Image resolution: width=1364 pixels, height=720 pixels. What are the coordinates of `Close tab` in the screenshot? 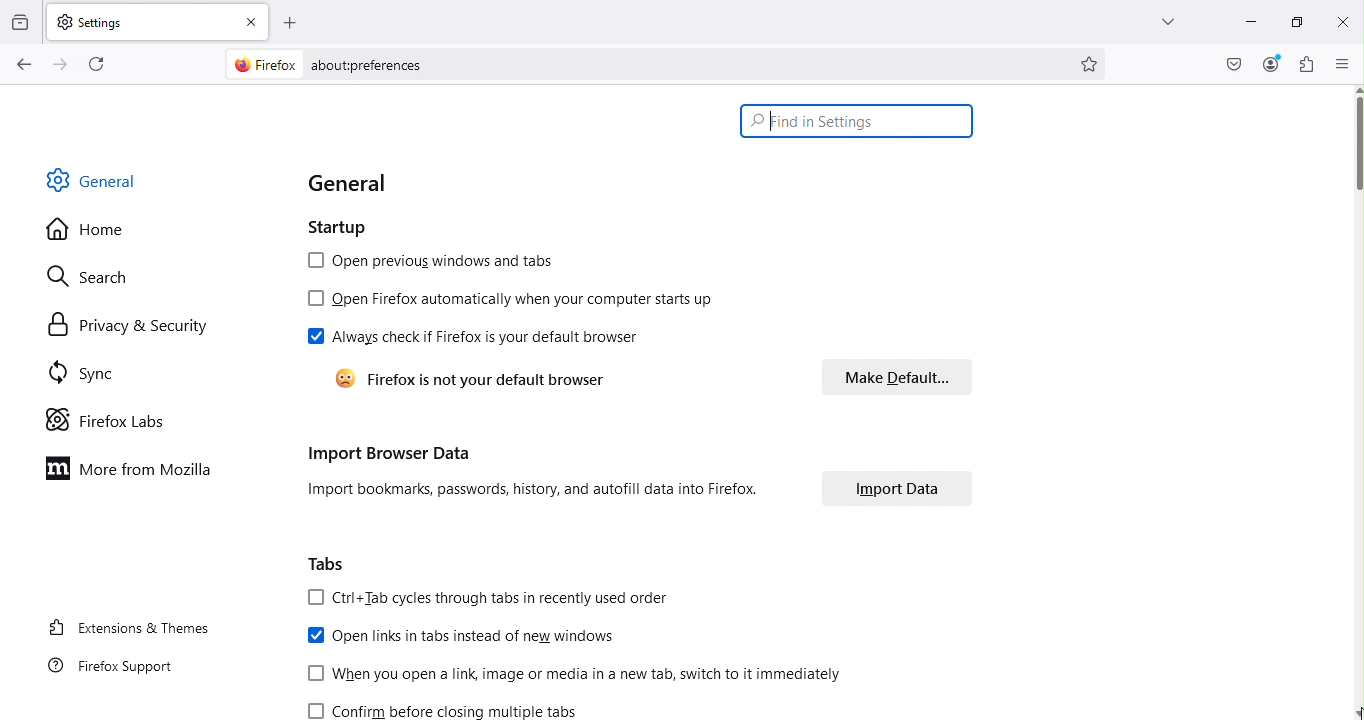 It's located at (253, 21).